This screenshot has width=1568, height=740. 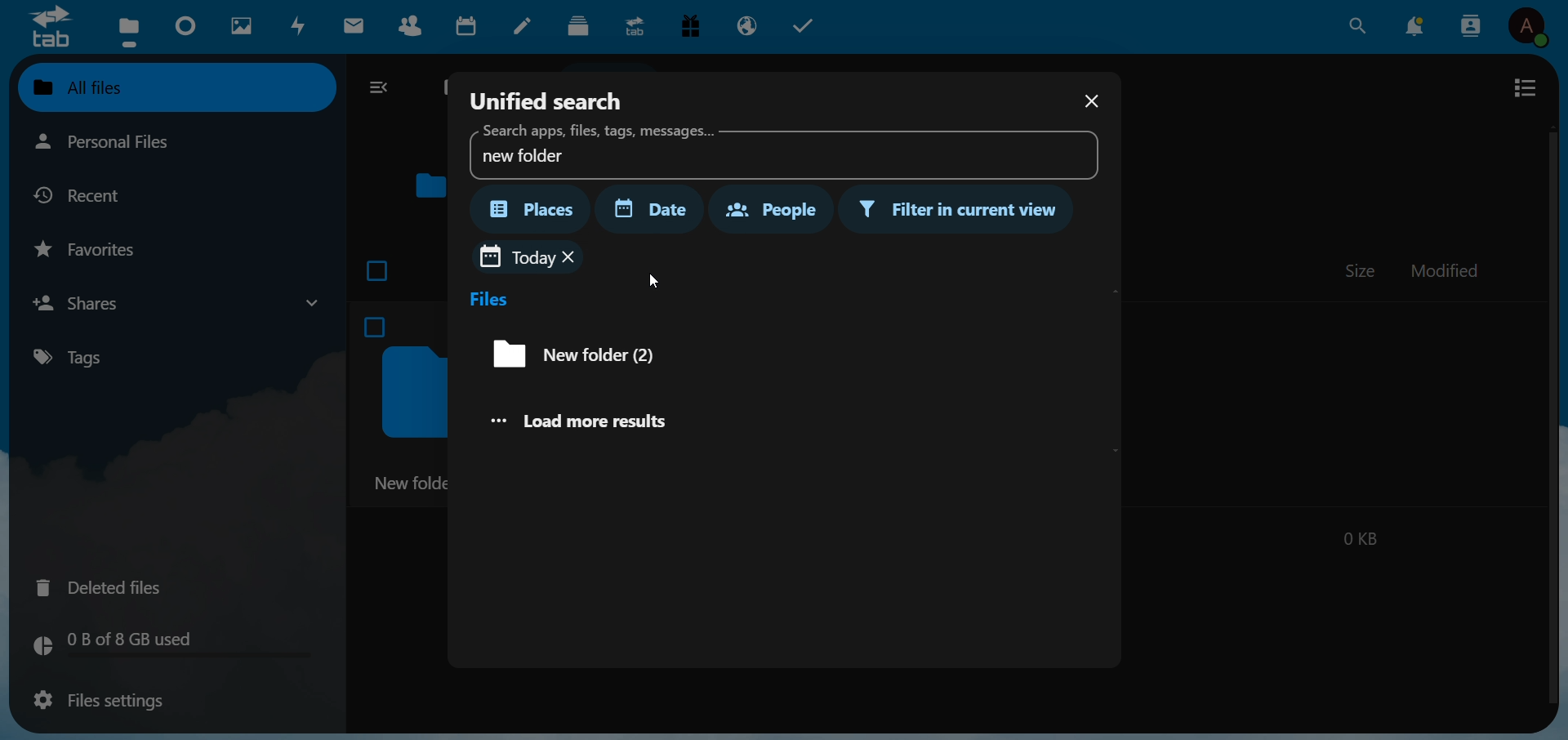 What do you see at coordinates (127, 30) in the screenshot?
I see `files` at bounding box center [127, 30].